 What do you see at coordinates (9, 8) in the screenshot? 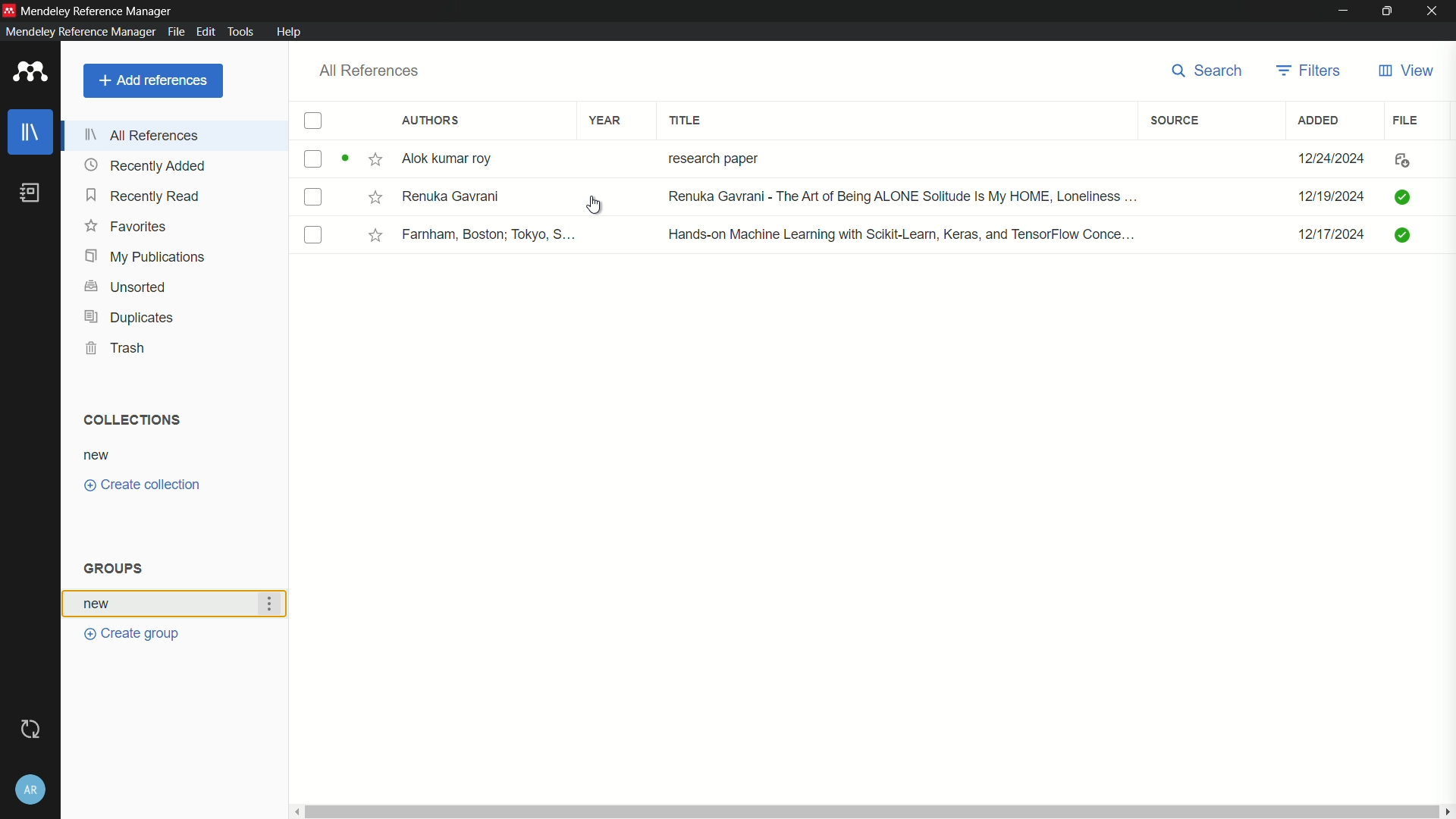
I see `app icon` at bounding box center [9, 8].